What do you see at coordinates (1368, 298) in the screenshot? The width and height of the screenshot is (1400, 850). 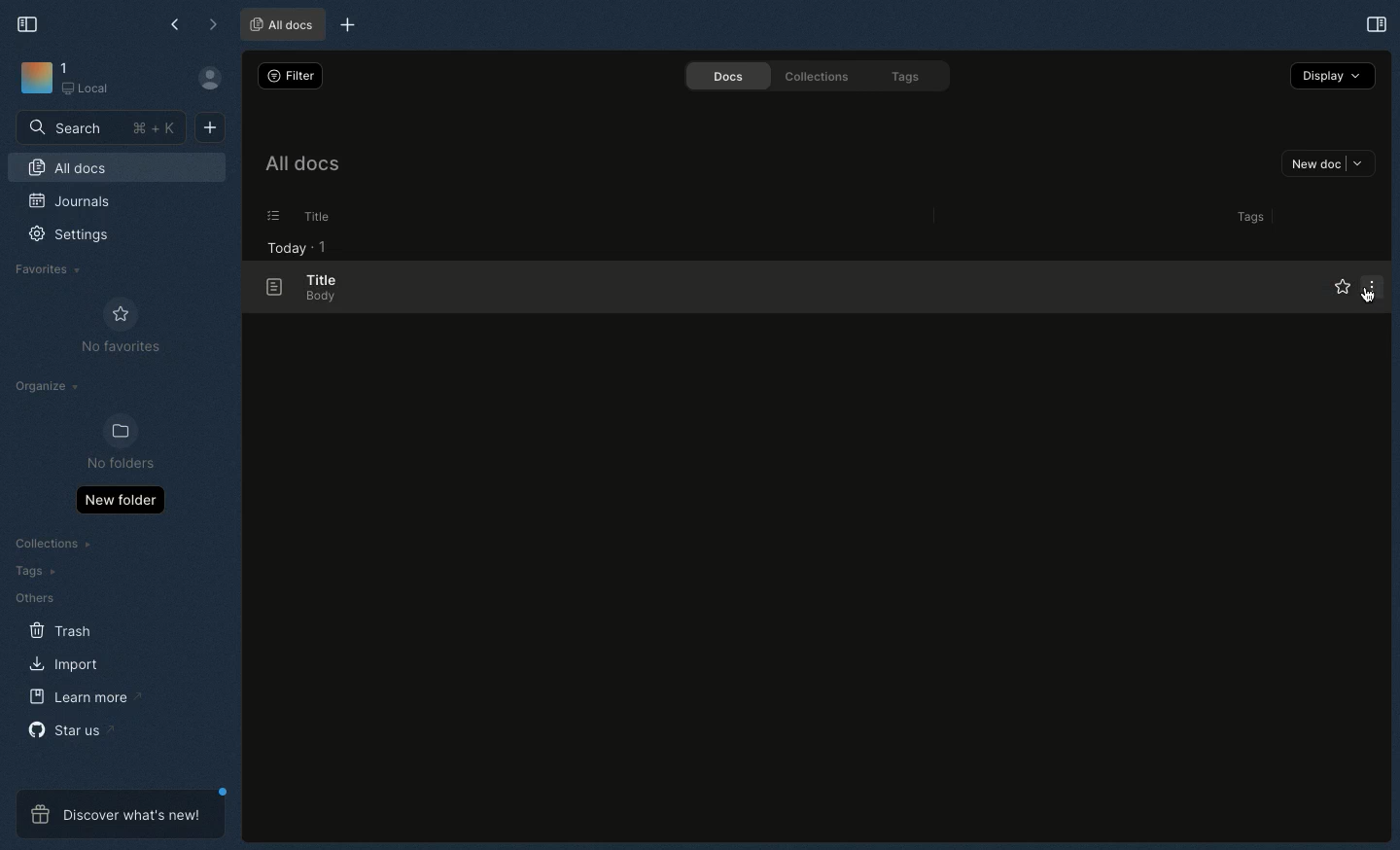 I see `cursor` at bounding box center [1368, 298].